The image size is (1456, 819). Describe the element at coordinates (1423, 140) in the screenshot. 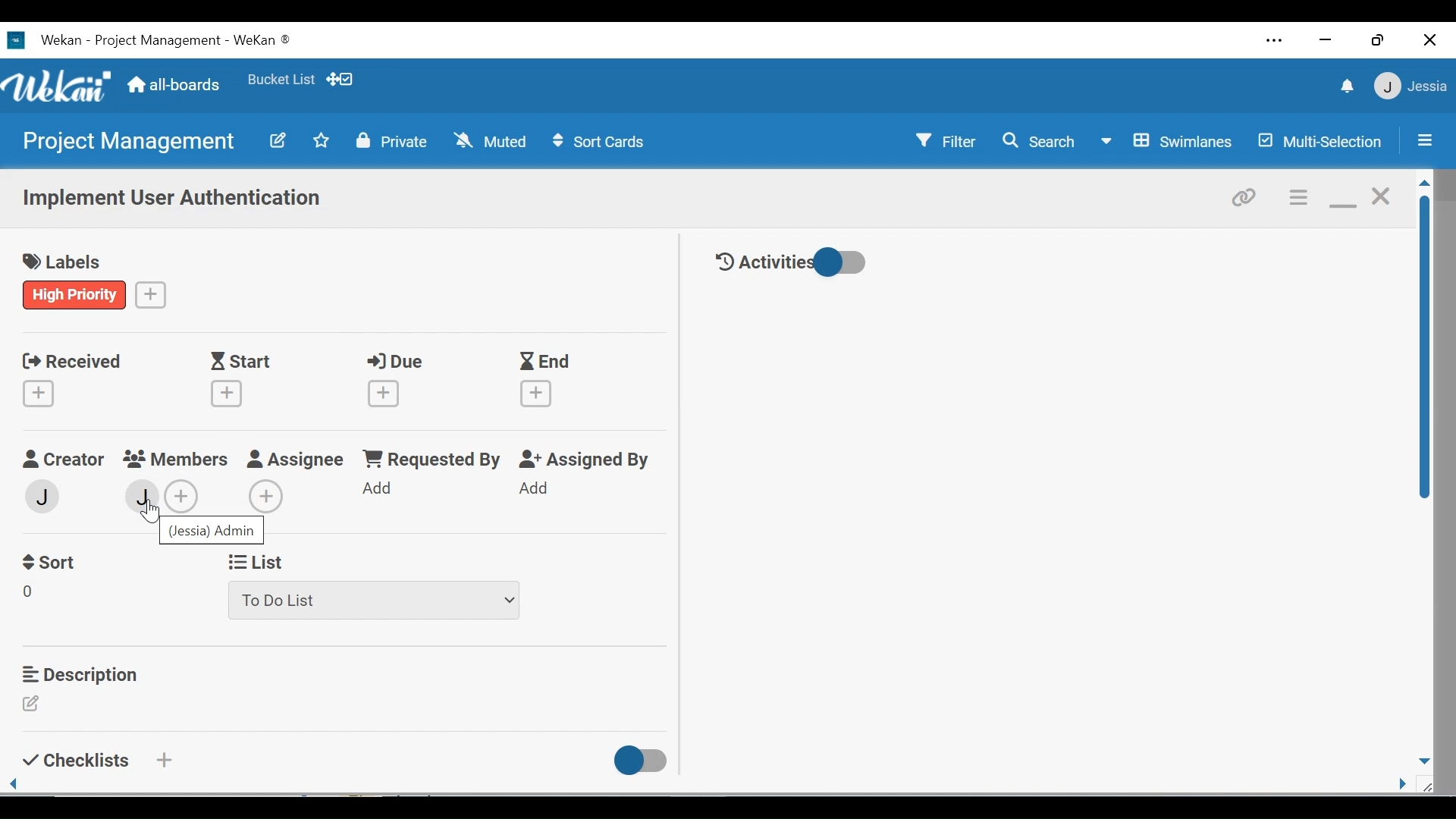

I see `open/close side pane` at that location.